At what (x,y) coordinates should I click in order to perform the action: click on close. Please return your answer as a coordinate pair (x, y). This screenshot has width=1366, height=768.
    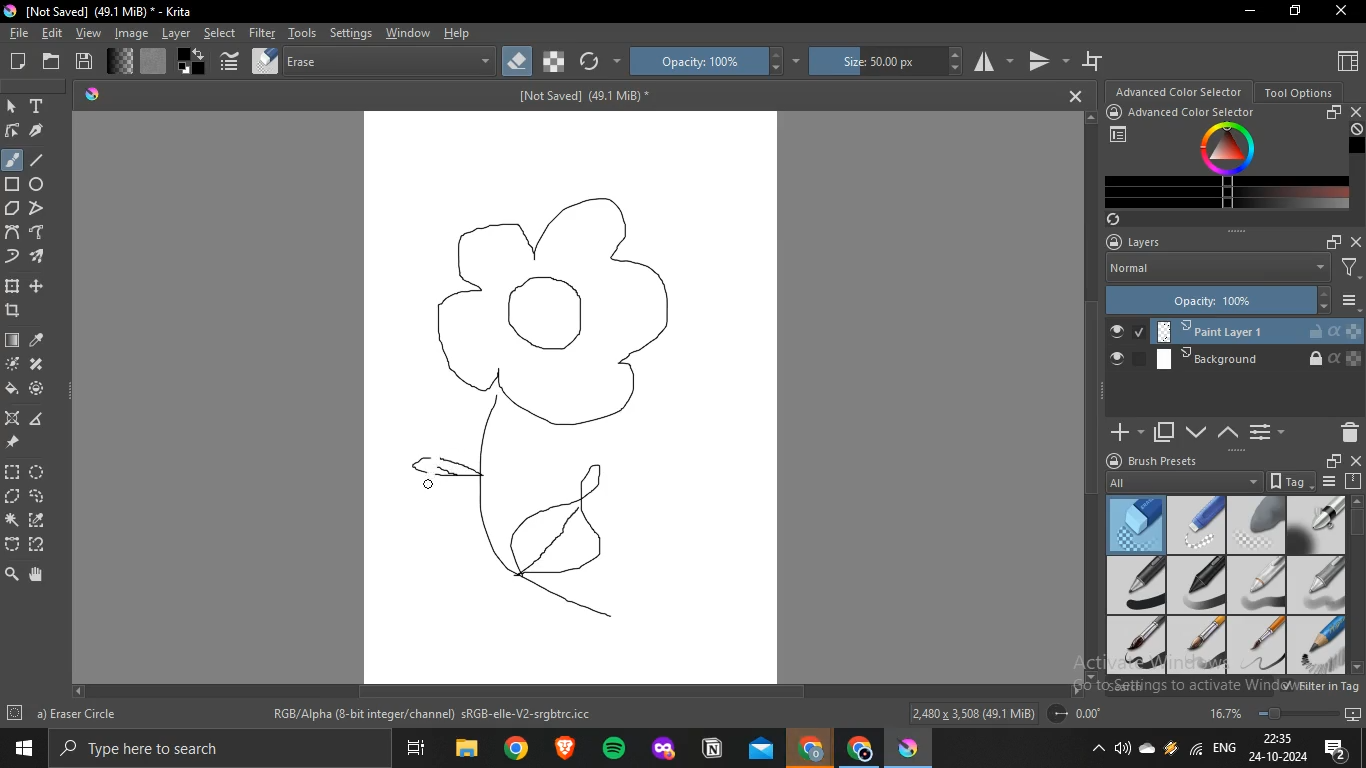
    Looking at the image, I should click on (1356, 111).